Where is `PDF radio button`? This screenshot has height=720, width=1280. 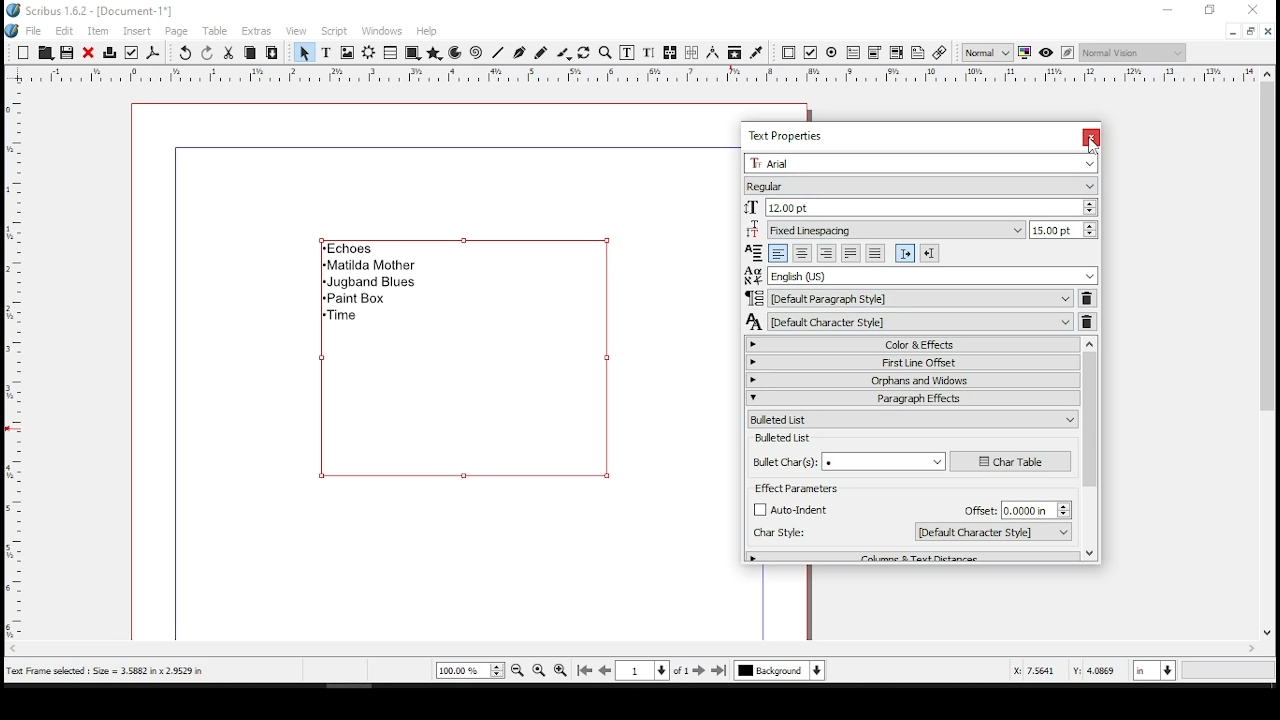 PDF radio button is located at coordinates (832, 53).